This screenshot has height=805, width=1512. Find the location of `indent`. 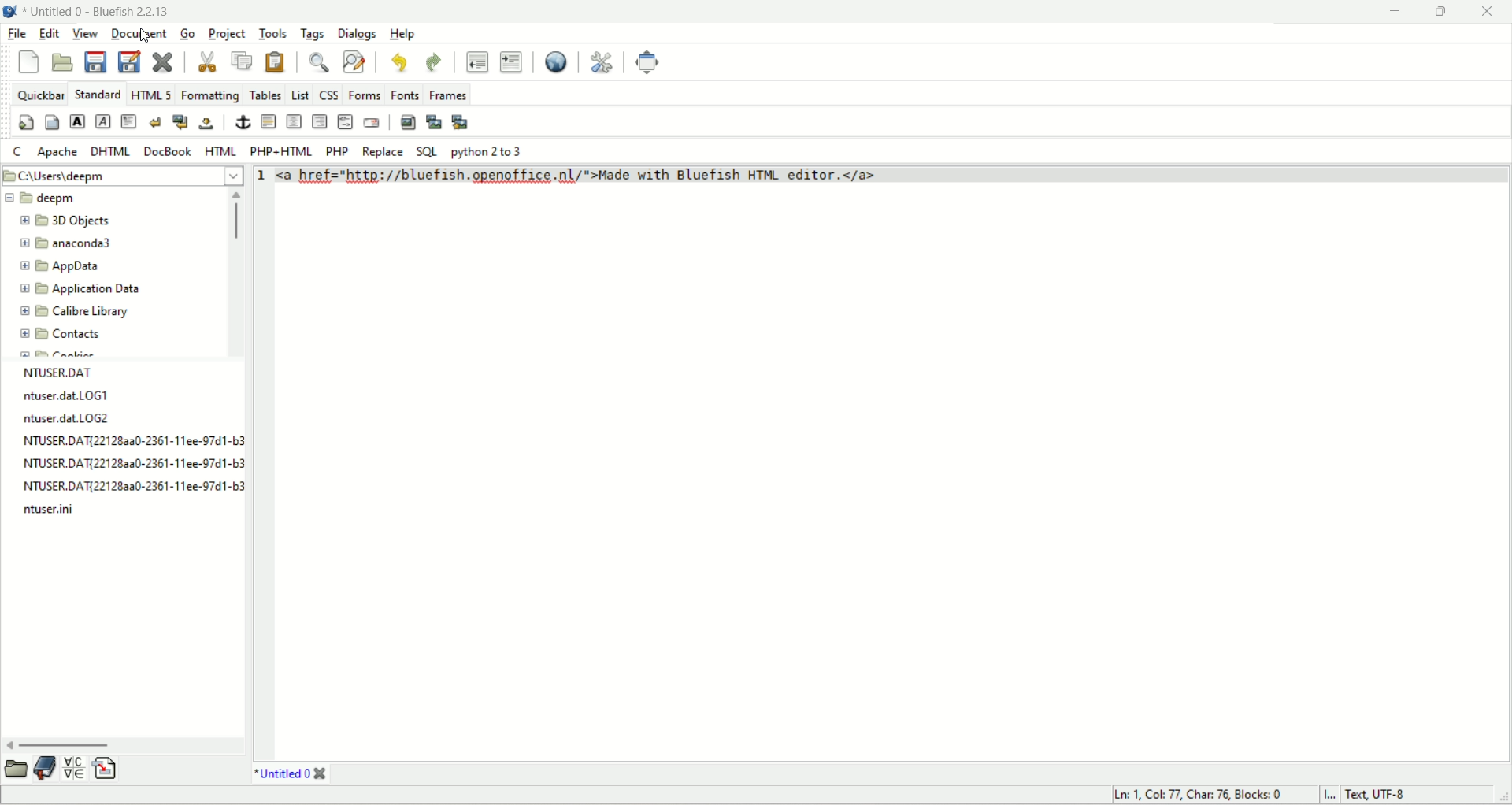

indent is located at coordinates (512, 62).